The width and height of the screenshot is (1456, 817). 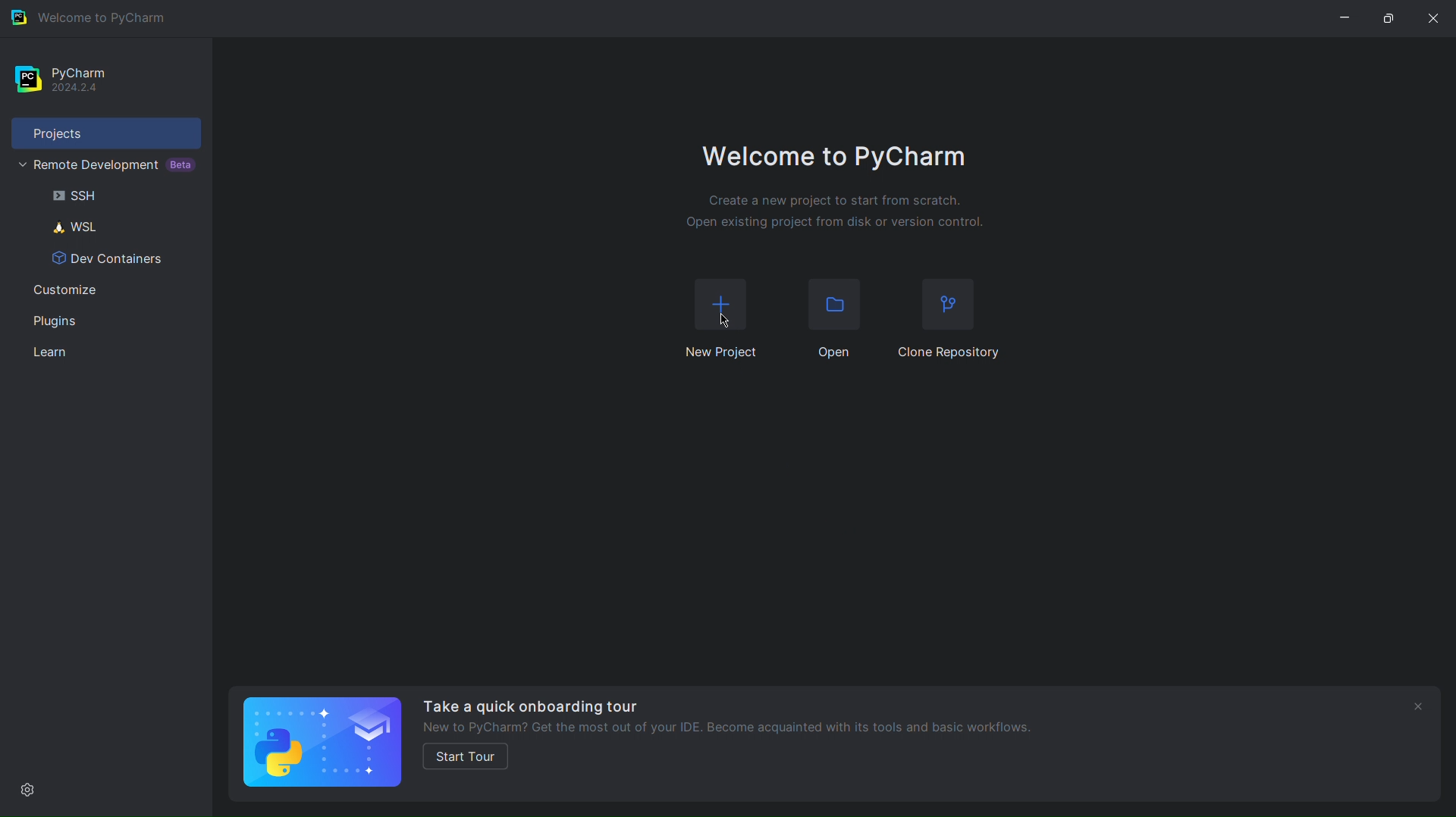 I want to click on Minimize, so click(x=1343, y=19).